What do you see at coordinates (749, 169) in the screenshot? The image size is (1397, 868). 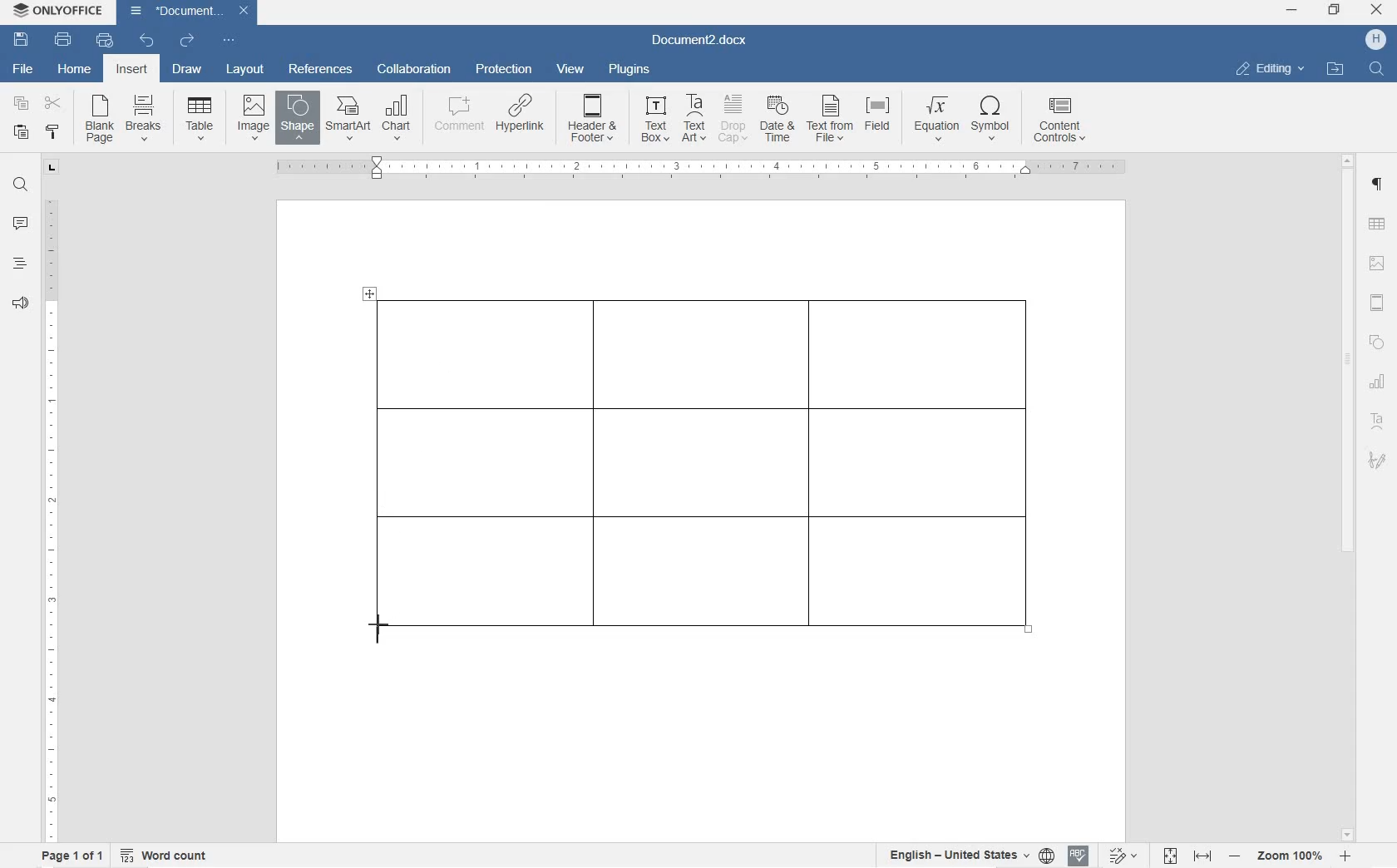 I see `ruler` at bounding box center [749, 169].